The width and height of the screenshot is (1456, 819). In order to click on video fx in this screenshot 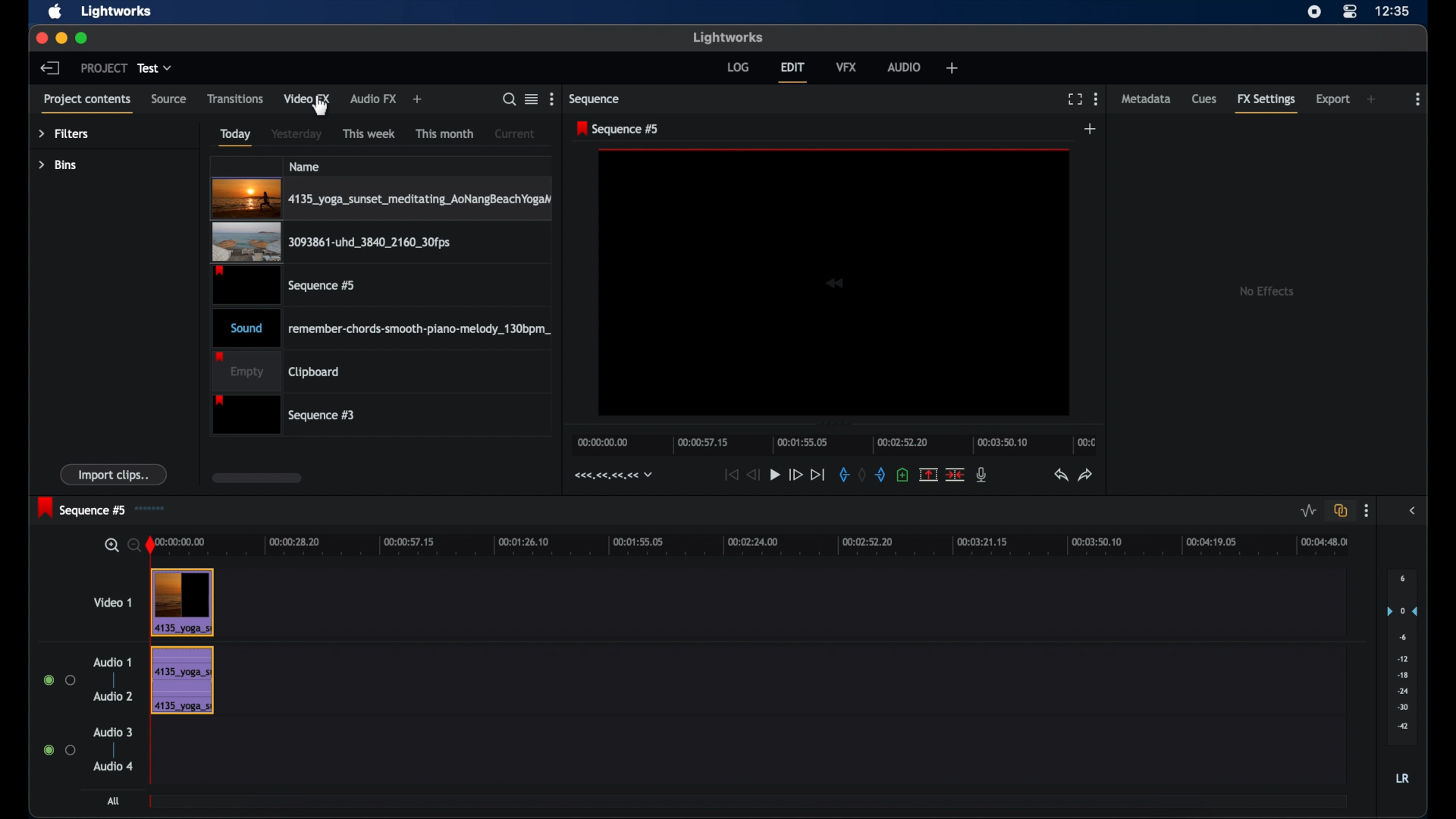, I will do `click(306, 98)`.